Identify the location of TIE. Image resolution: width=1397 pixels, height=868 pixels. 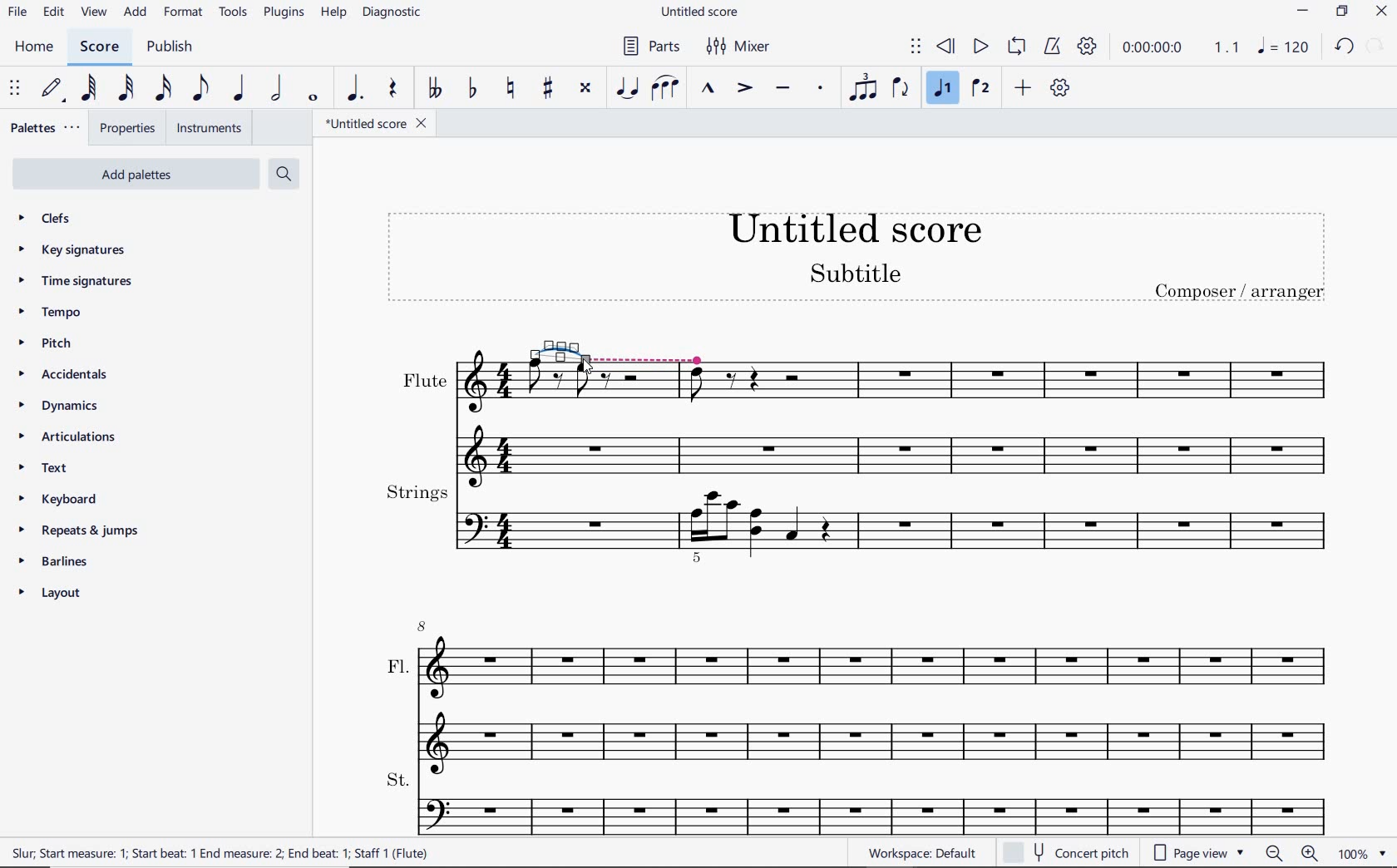
(626, 89).